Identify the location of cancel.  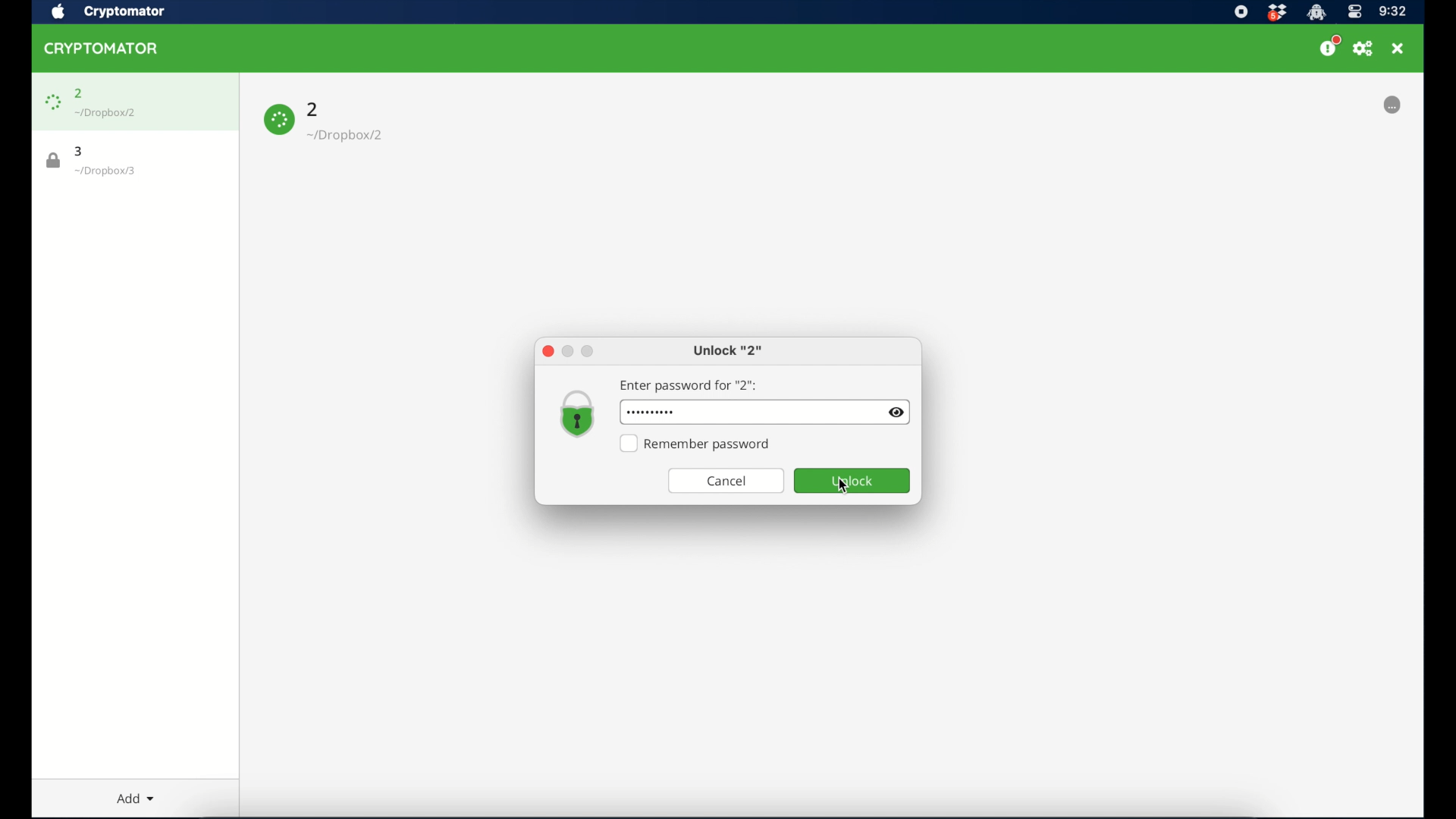
(726, 482).